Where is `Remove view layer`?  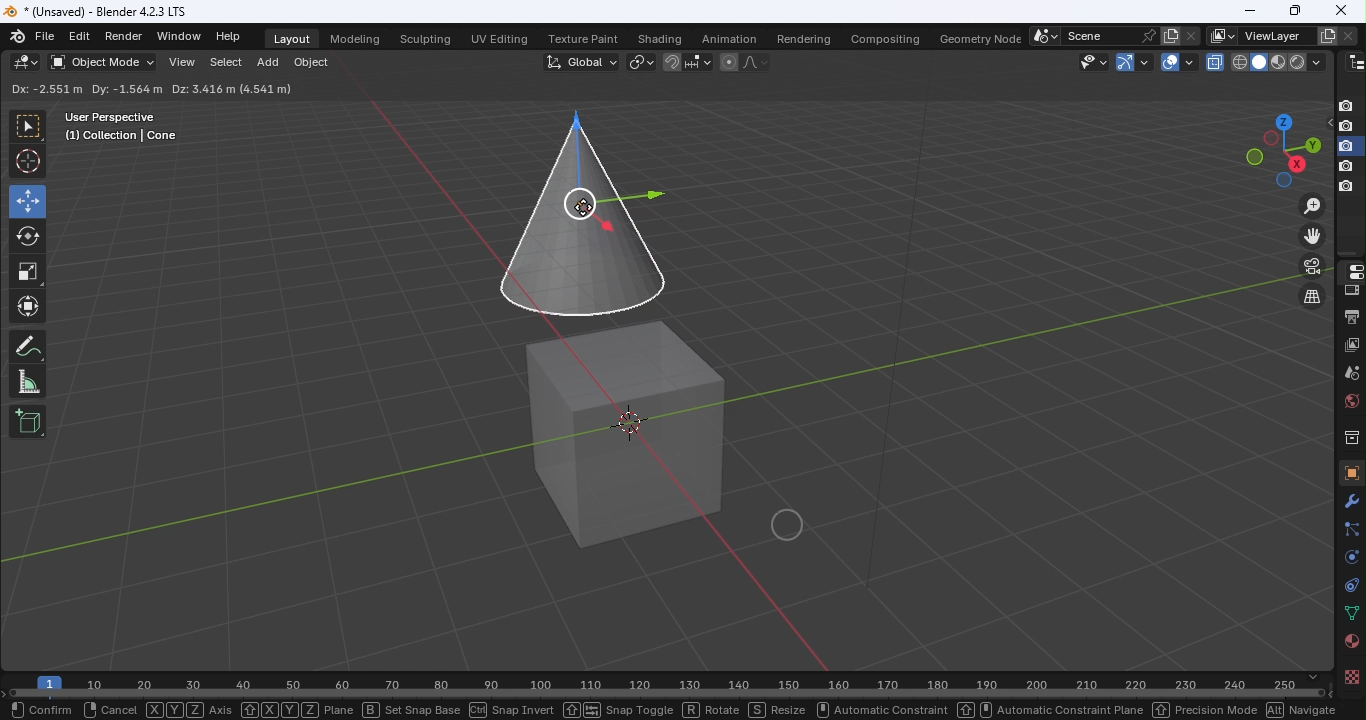
Remove view layer is located at coordinates (1348, 33).